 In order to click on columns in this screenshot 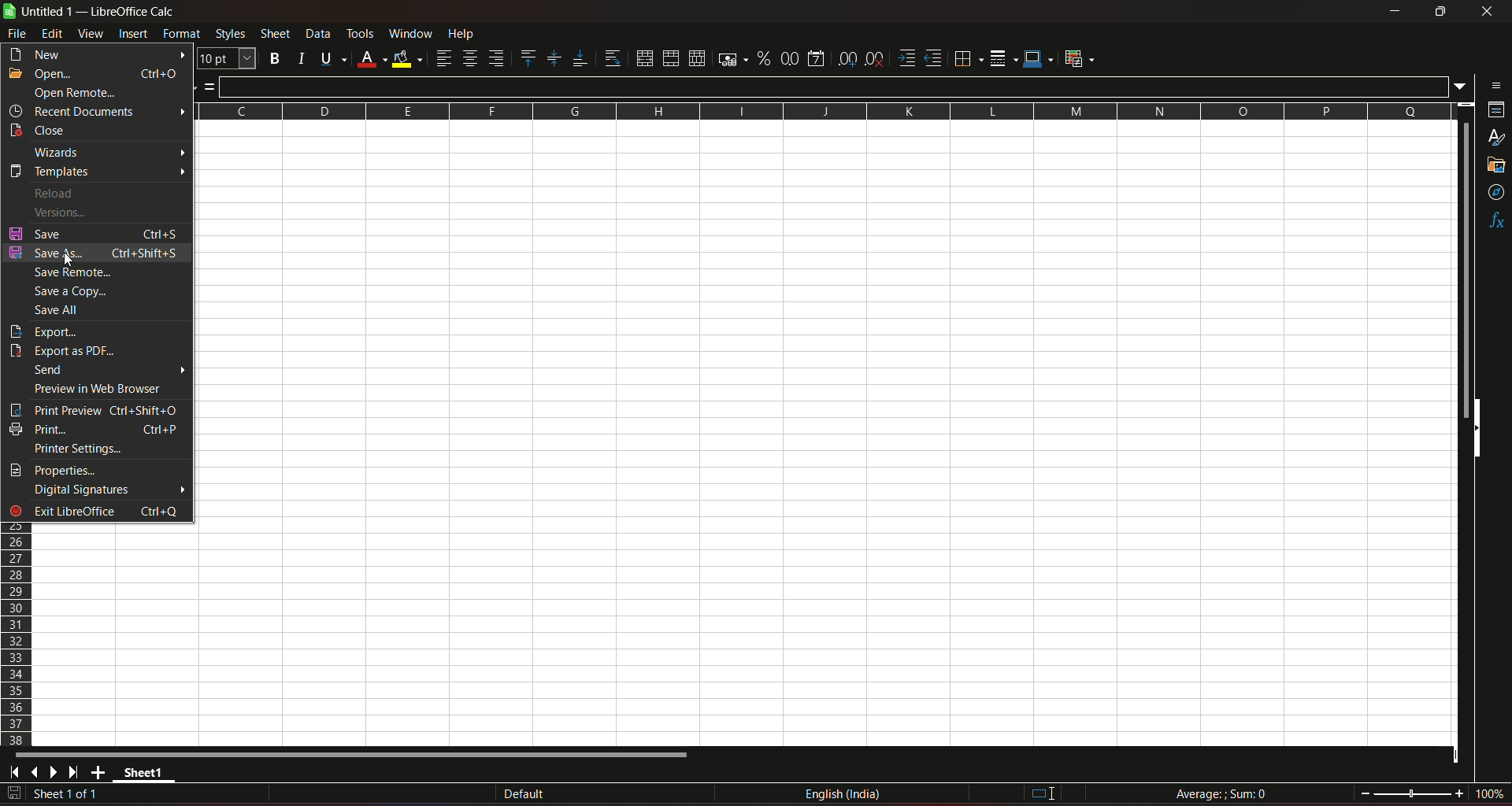, I will do `click(826, 112)`.